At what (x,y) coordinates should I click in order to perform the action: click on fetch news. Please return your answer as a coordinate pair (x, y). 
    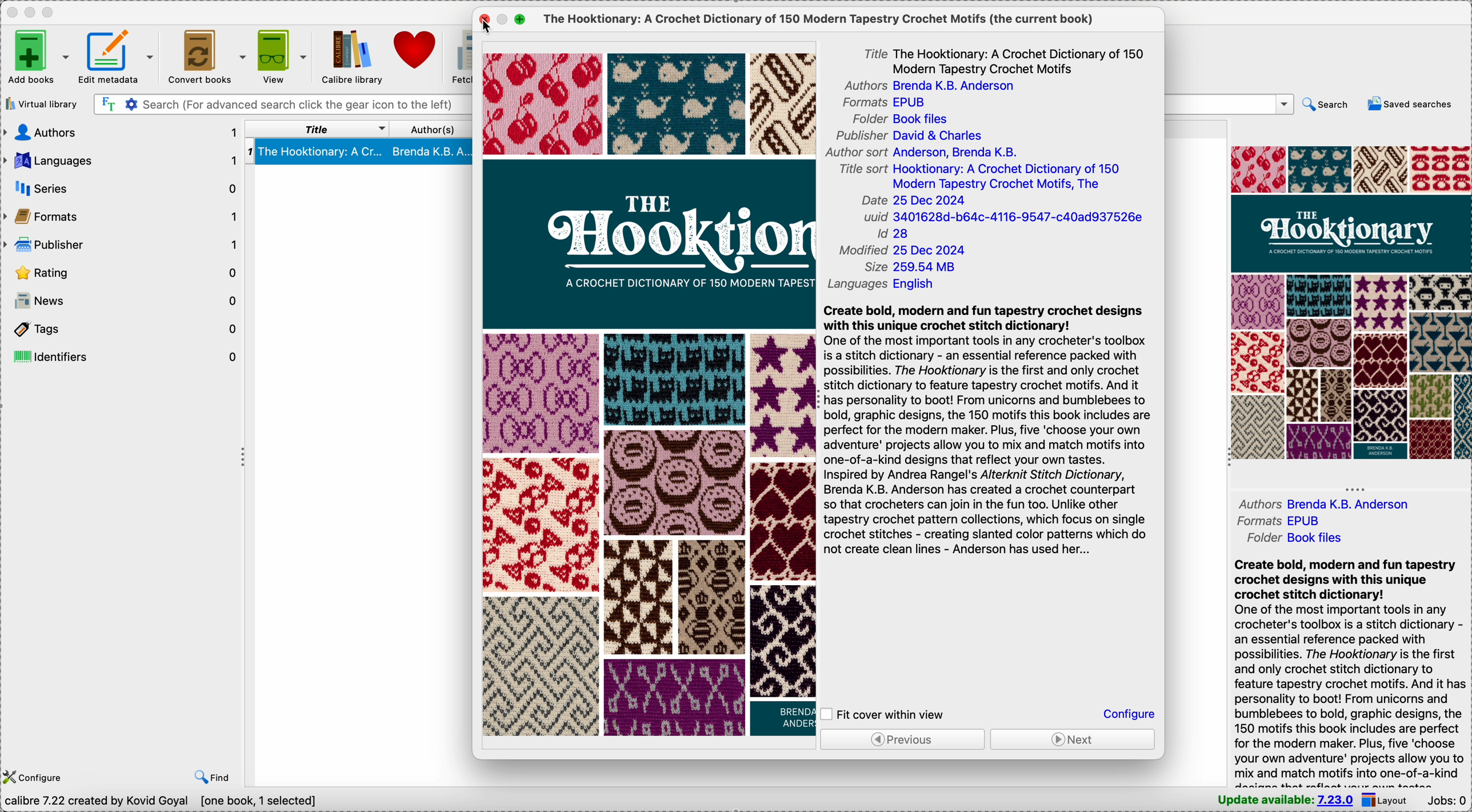
    Looking at the image, I should click on (457, 58).